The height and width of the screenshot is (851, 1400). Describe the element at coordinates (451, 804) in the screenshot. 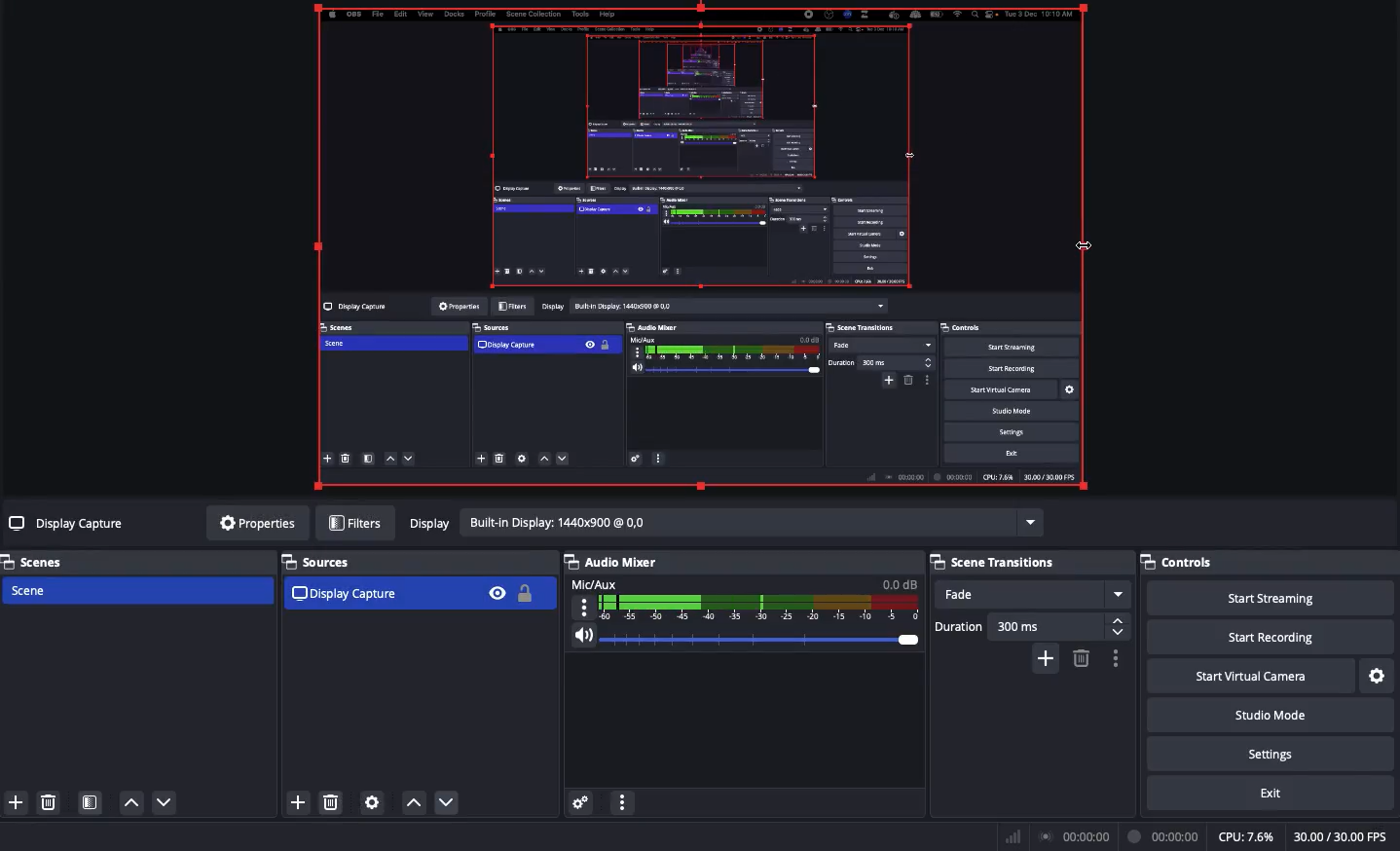

I see `Down` at that location.